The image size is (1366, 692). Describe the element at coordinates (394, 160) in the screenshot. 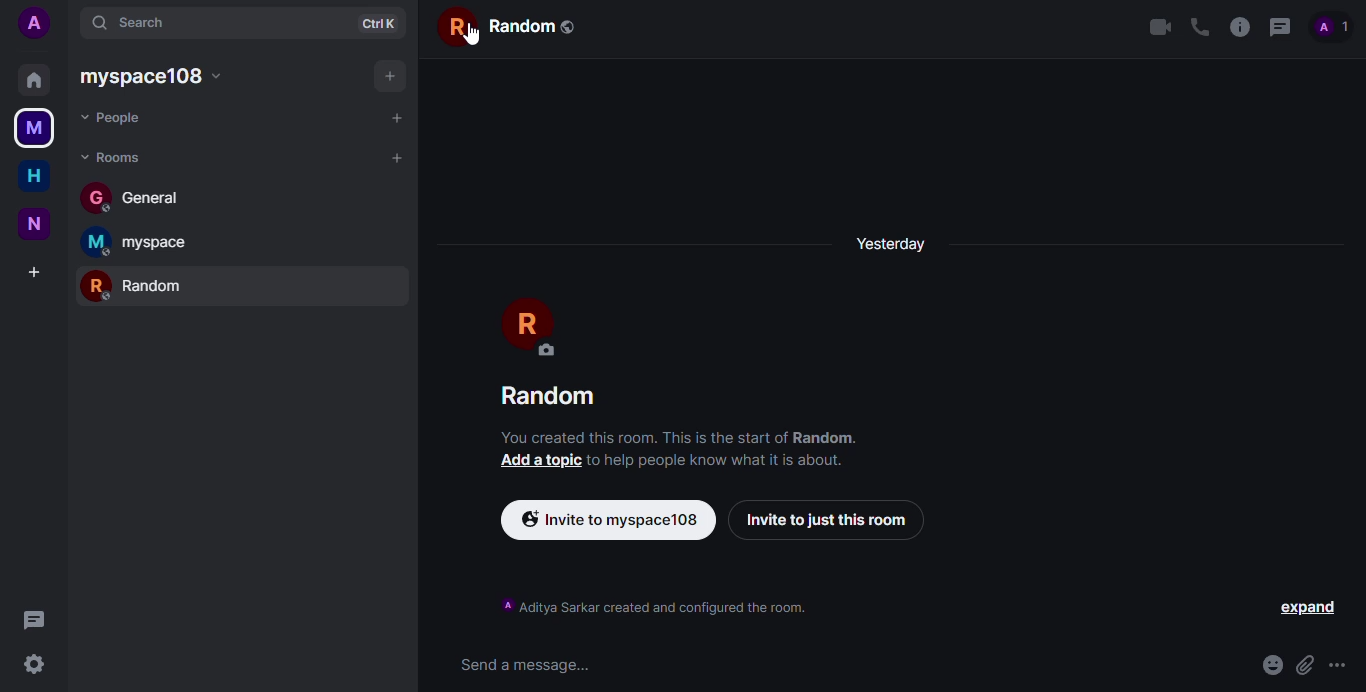

I see `add` at that location.